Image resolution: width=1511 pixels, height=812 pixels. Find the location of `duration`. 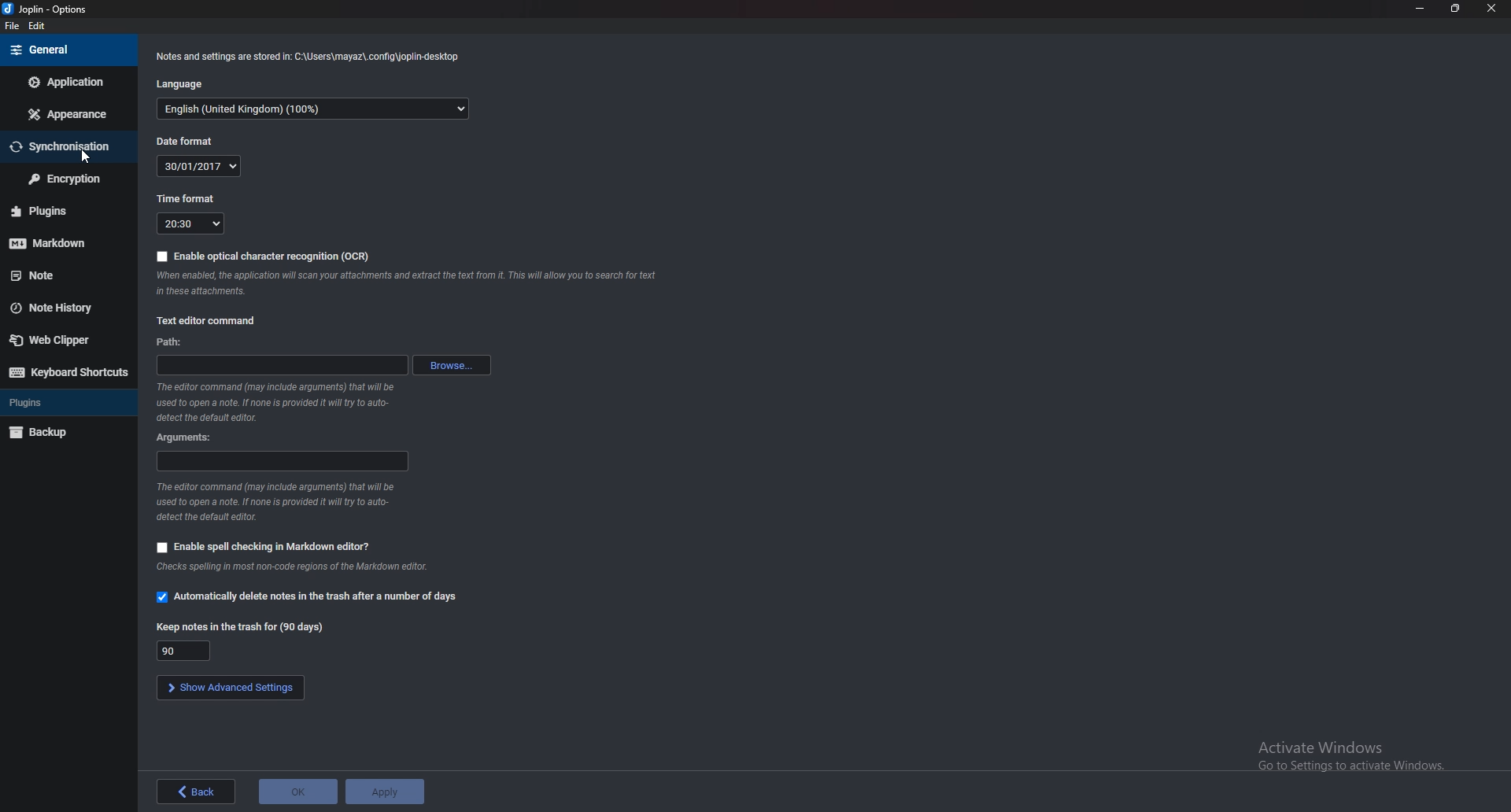

duration is located at coordinates (184, 651).